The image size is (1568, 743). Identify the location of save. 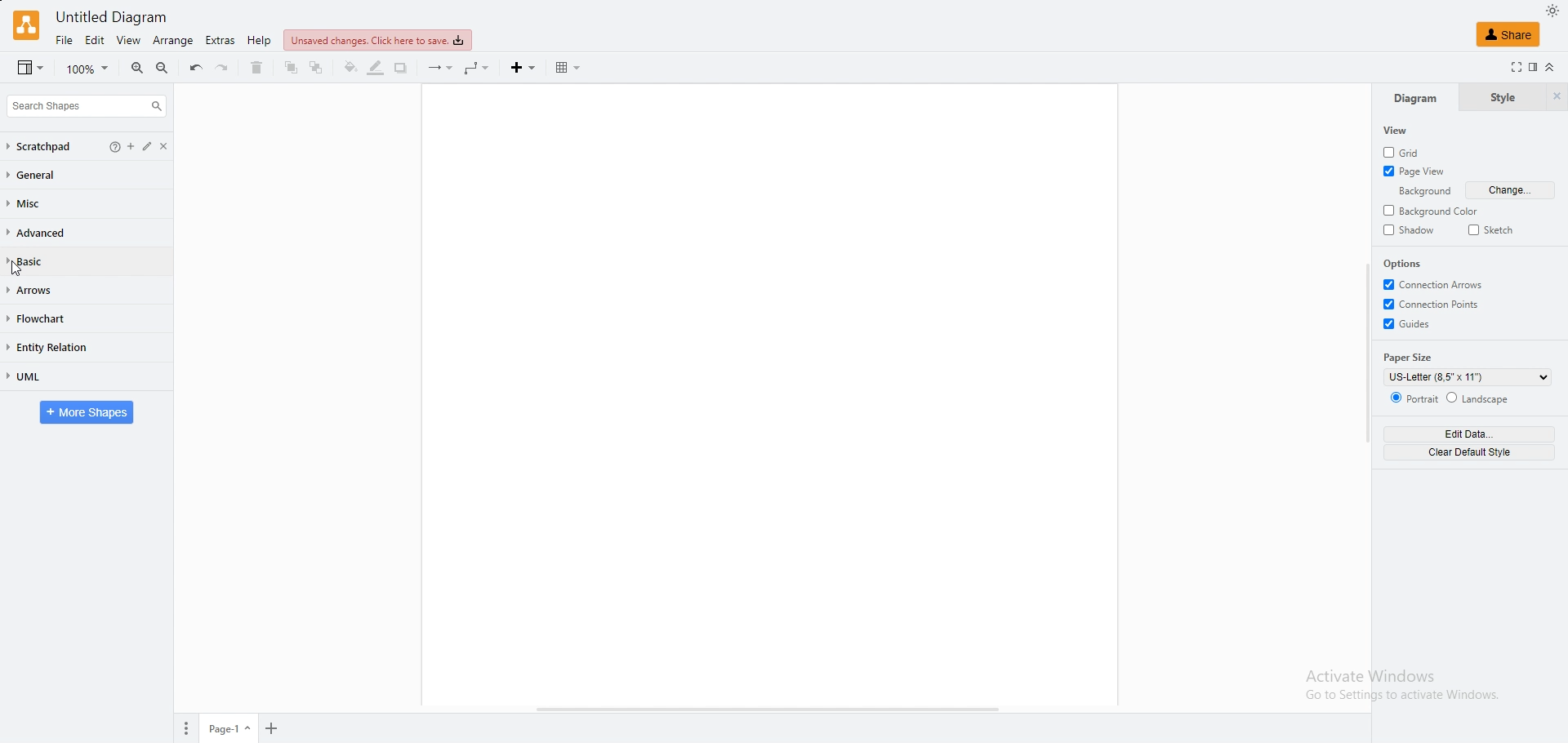
(378, 41).